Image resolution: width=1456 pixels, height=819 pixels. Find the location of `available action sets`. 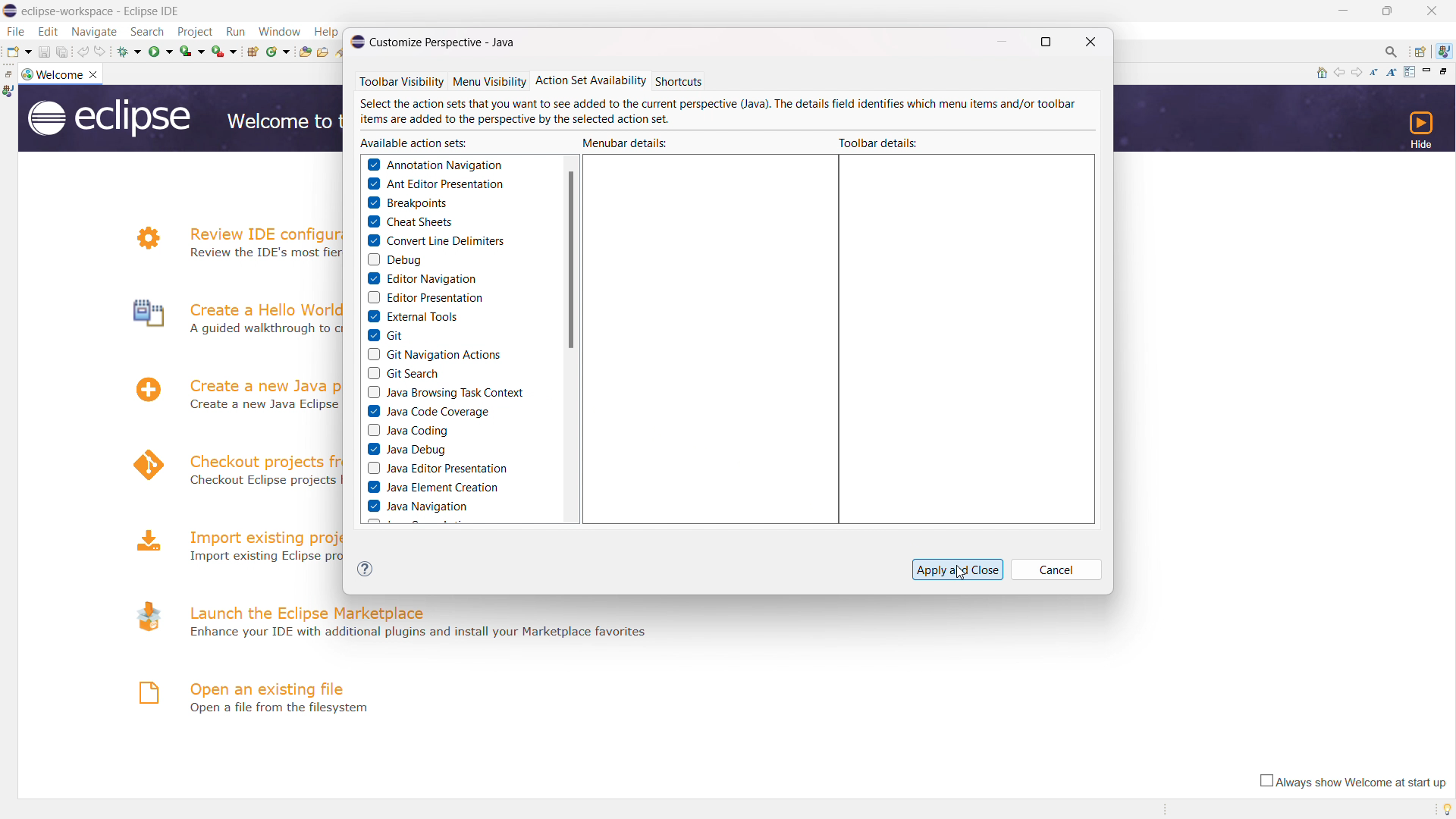

available action sets is located at coordinates (413, 143).